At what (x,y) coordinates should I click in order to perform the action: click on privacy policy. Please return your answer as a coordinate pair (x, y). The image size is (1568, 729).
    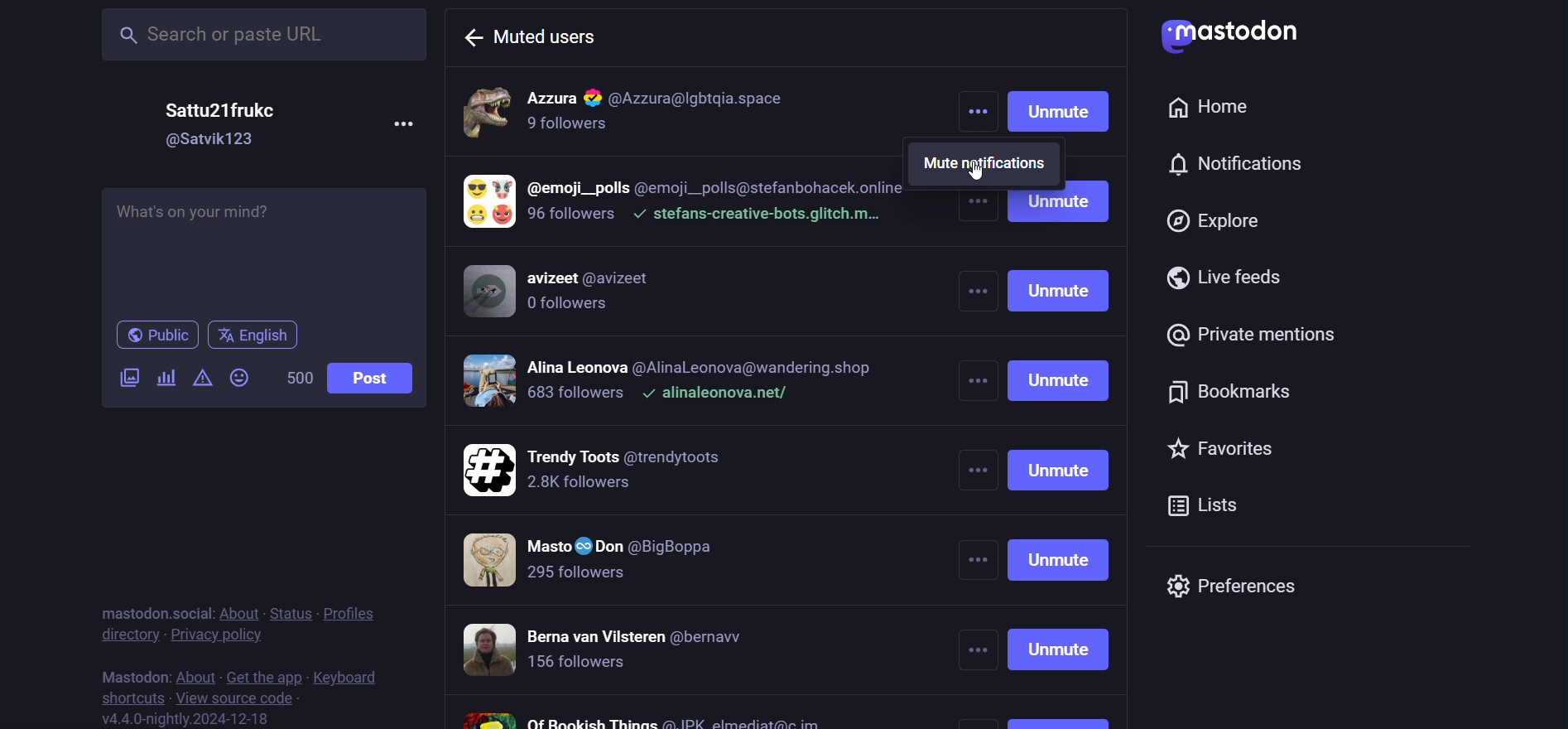
    Looking at the image, I should click on (214, 634).